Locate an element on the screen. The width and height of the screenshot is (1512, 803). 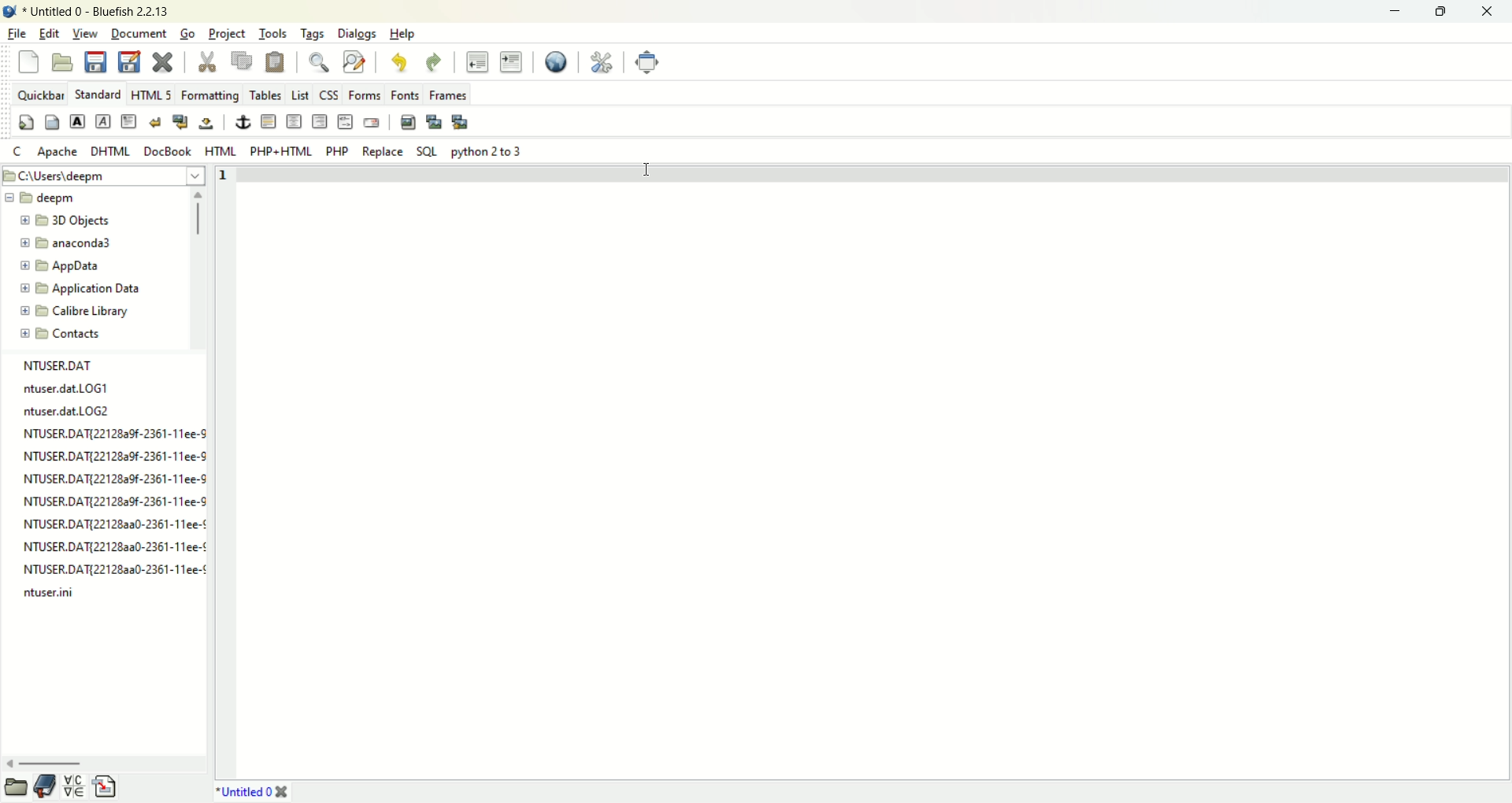
go is located at coordinates (187, 34).